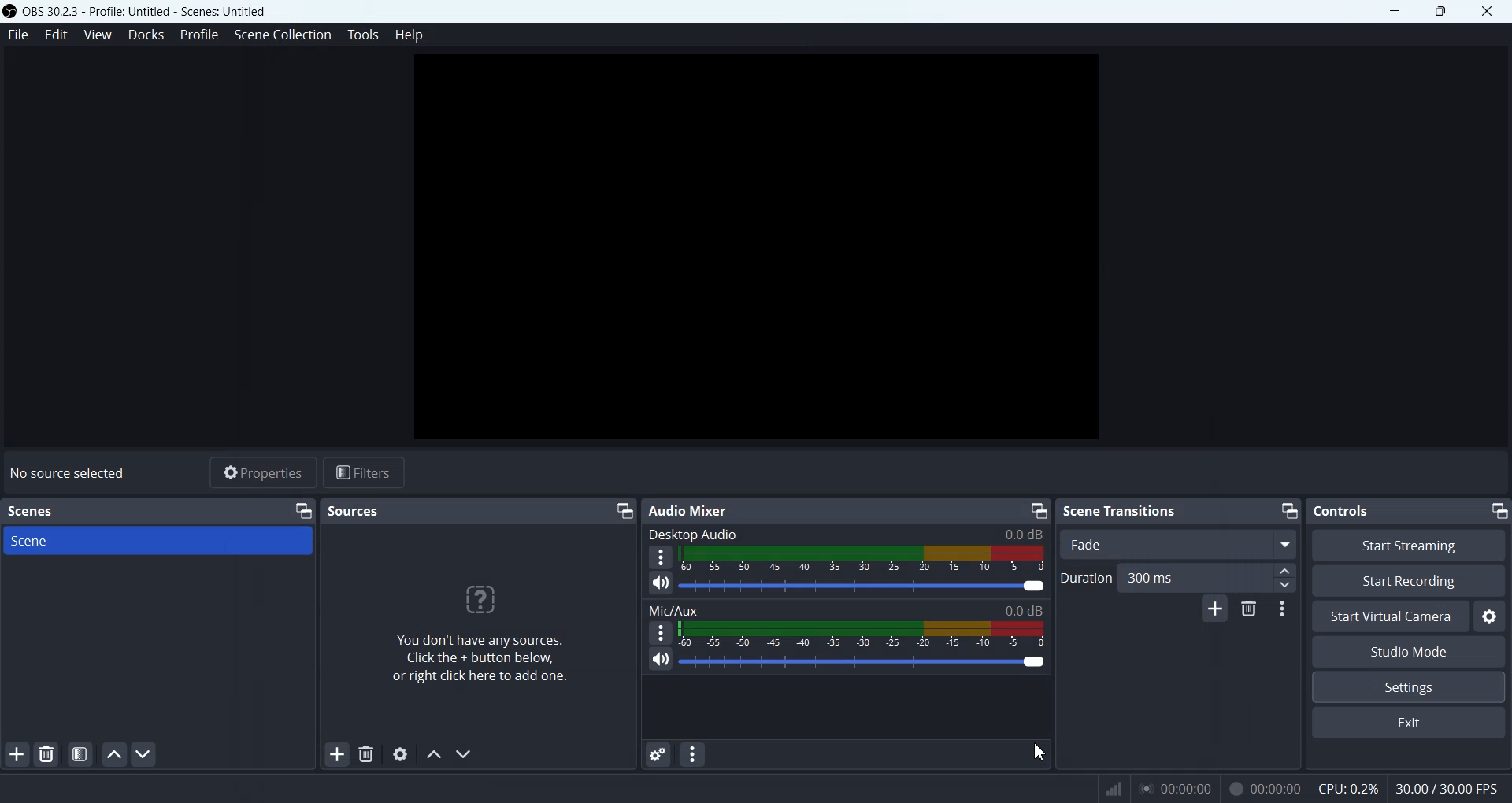 This screenshot has width=1512, height=803. What do you see at coordinates (144, 754) in the screenshot?
I see `Move scene Down` at bounding box center [144, 754].